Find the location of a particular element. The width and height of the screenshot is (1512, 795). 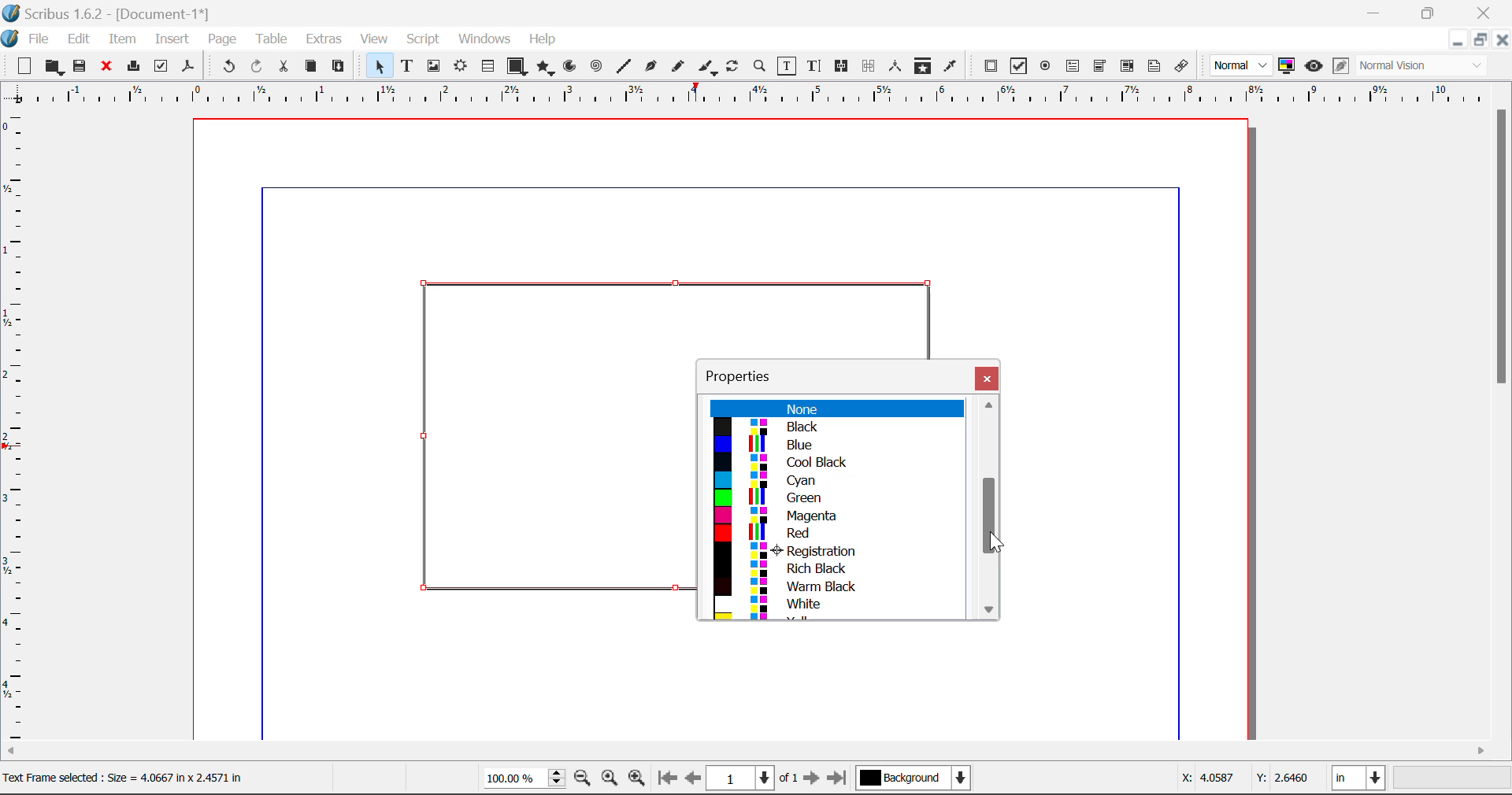

Page 1 of 1 is located at coordinates (754, 778).